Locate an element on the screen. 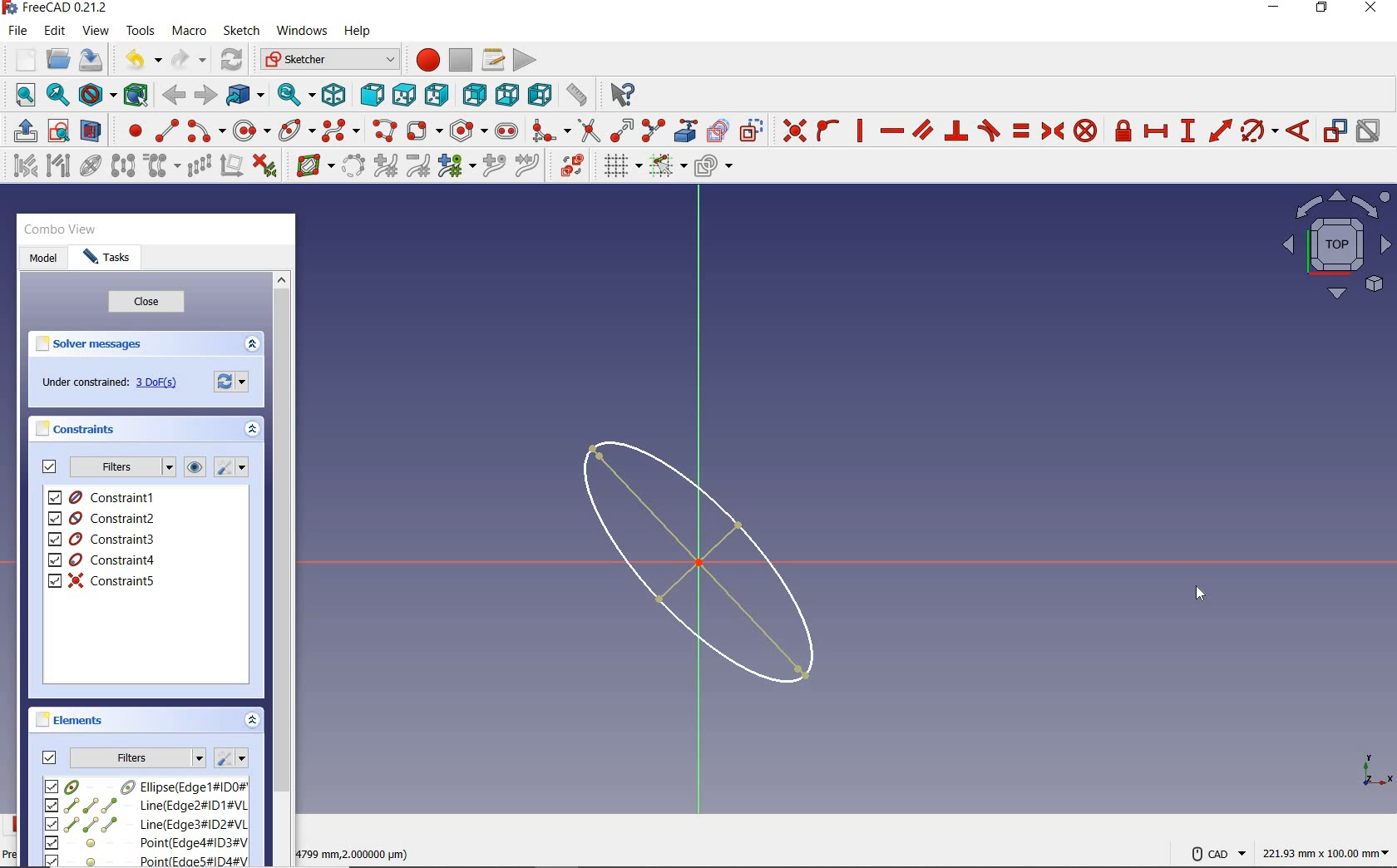  increase B-Spline Degree is located at coordinates (383, 166).